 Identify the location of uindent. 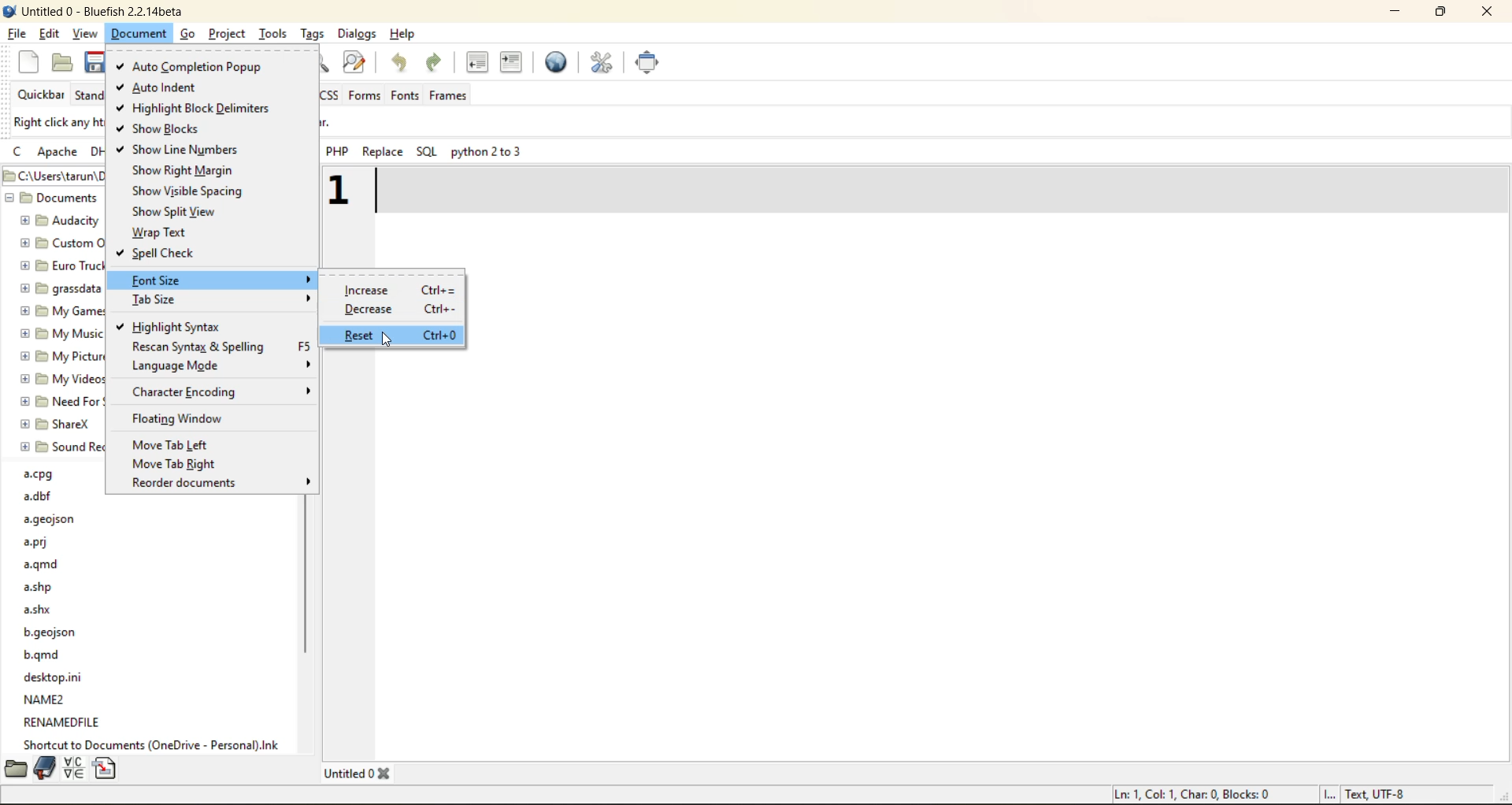
(480, 64).